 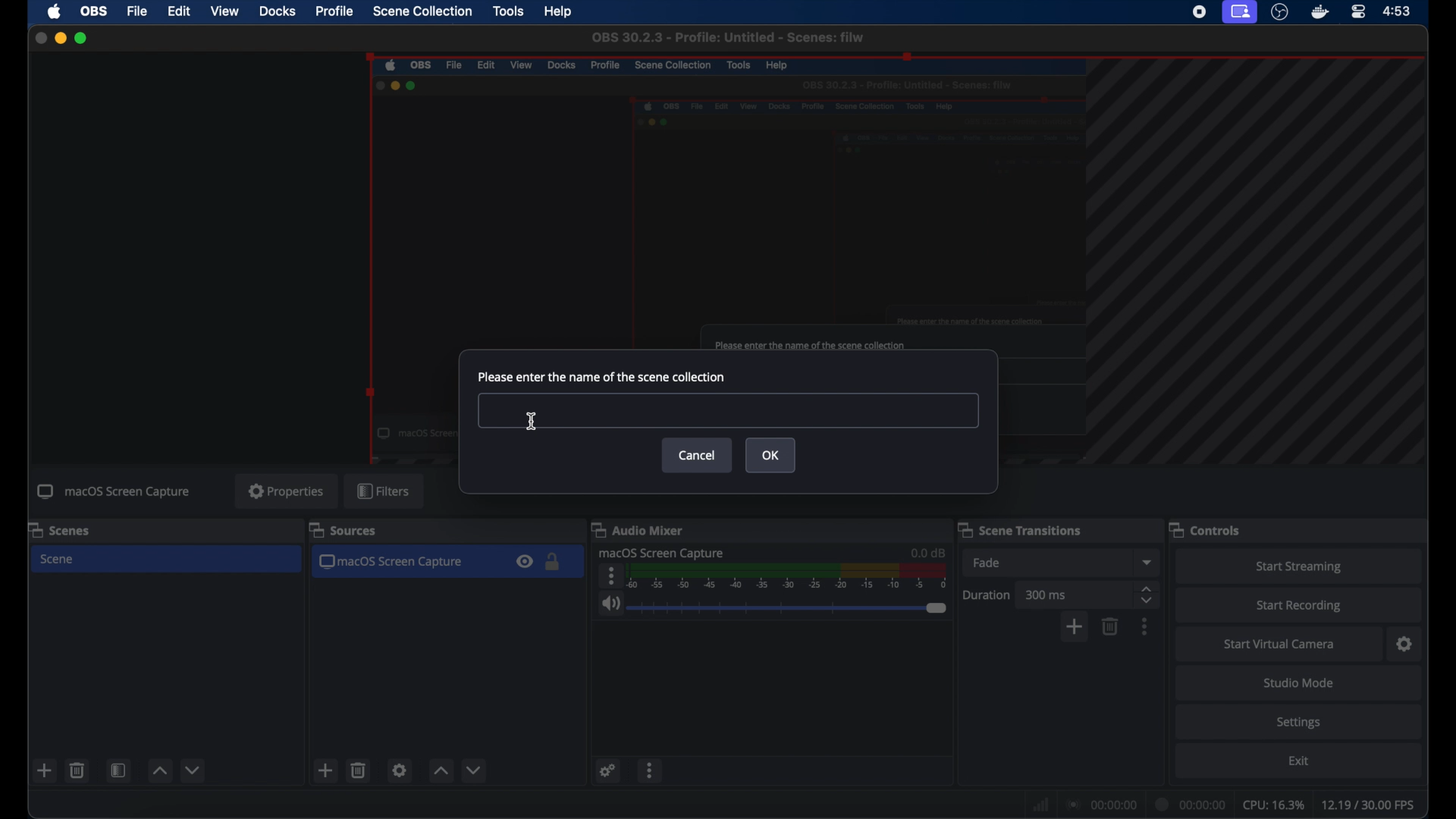 What do you see at coordinates (721, 202) in the screenshot?
I see `preview` at bounding box center [721, 202].